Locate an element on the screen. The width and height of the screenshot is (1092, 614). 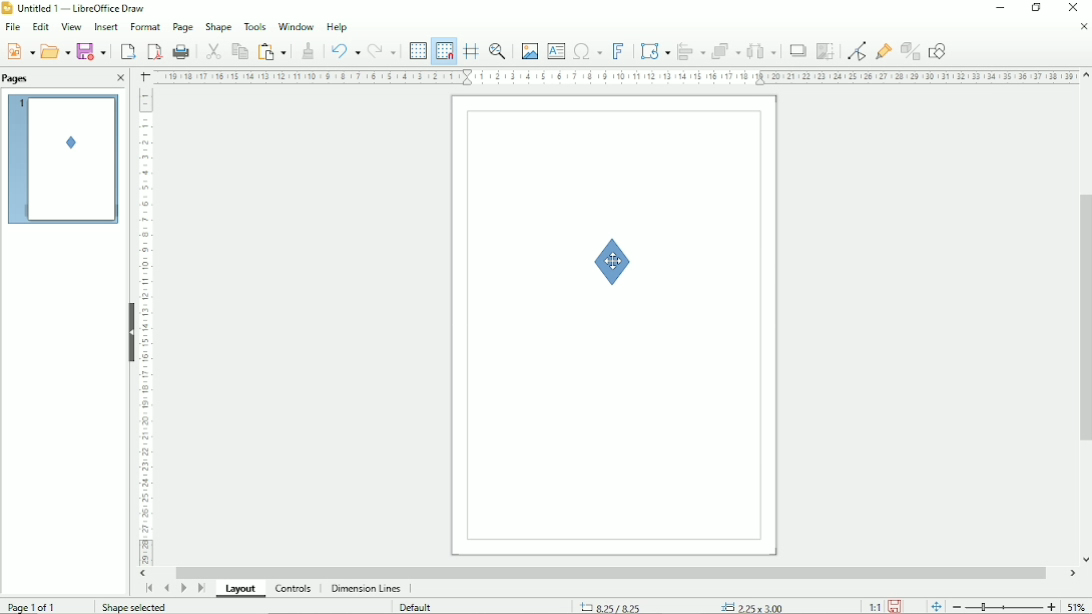
Fit page to current window is located at coordinates (935, 605).